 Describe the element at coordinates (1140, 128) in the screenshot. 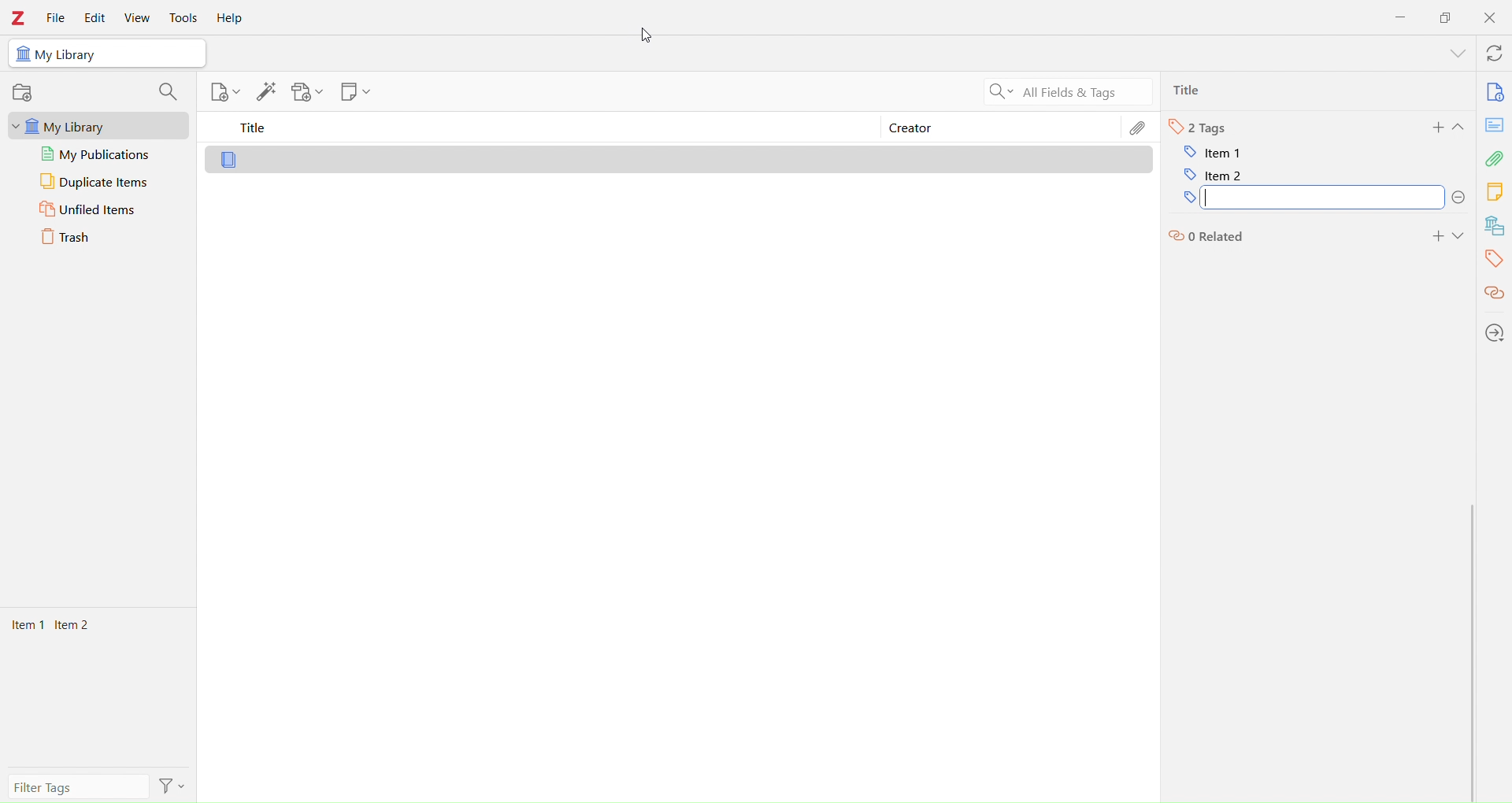

I see `Edit` at that location.